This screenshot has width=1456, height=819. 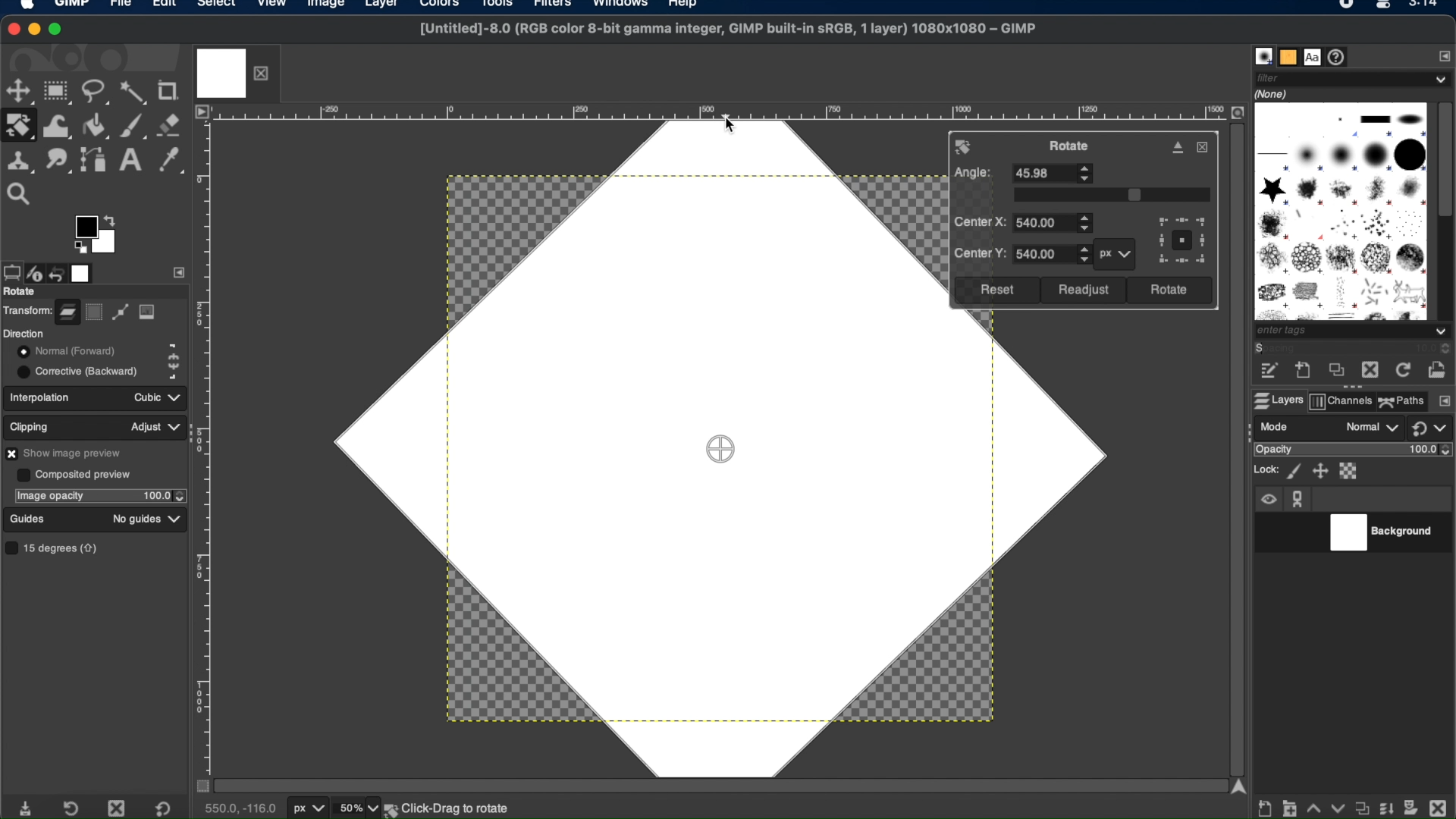 I want to click on normal forward toggle button, so click(x=64, y=351).